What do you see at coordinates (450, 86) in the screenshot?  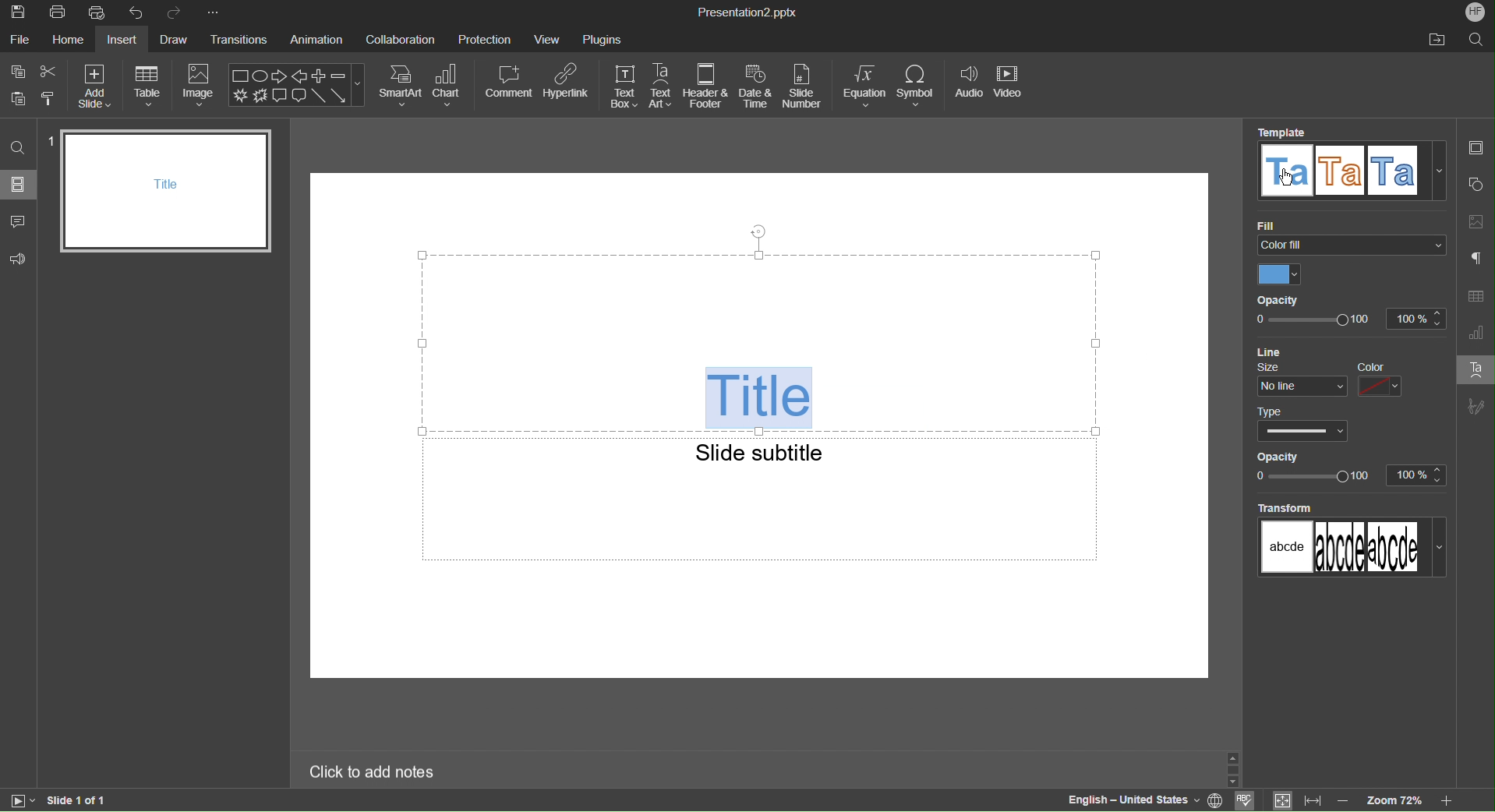 I see `Chart` at bounding box center [450, 86].